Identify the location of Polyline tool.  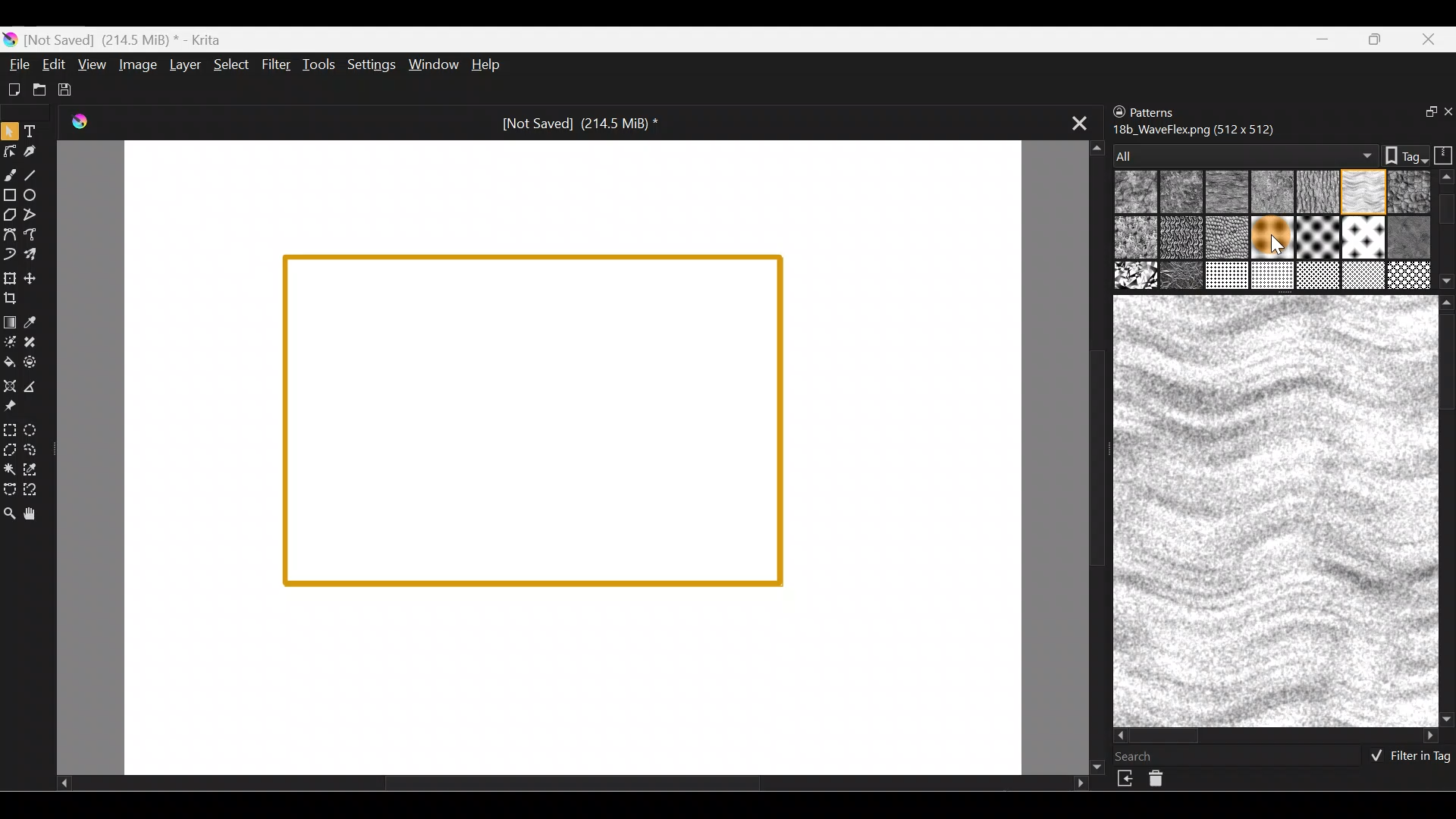
(32, 215).